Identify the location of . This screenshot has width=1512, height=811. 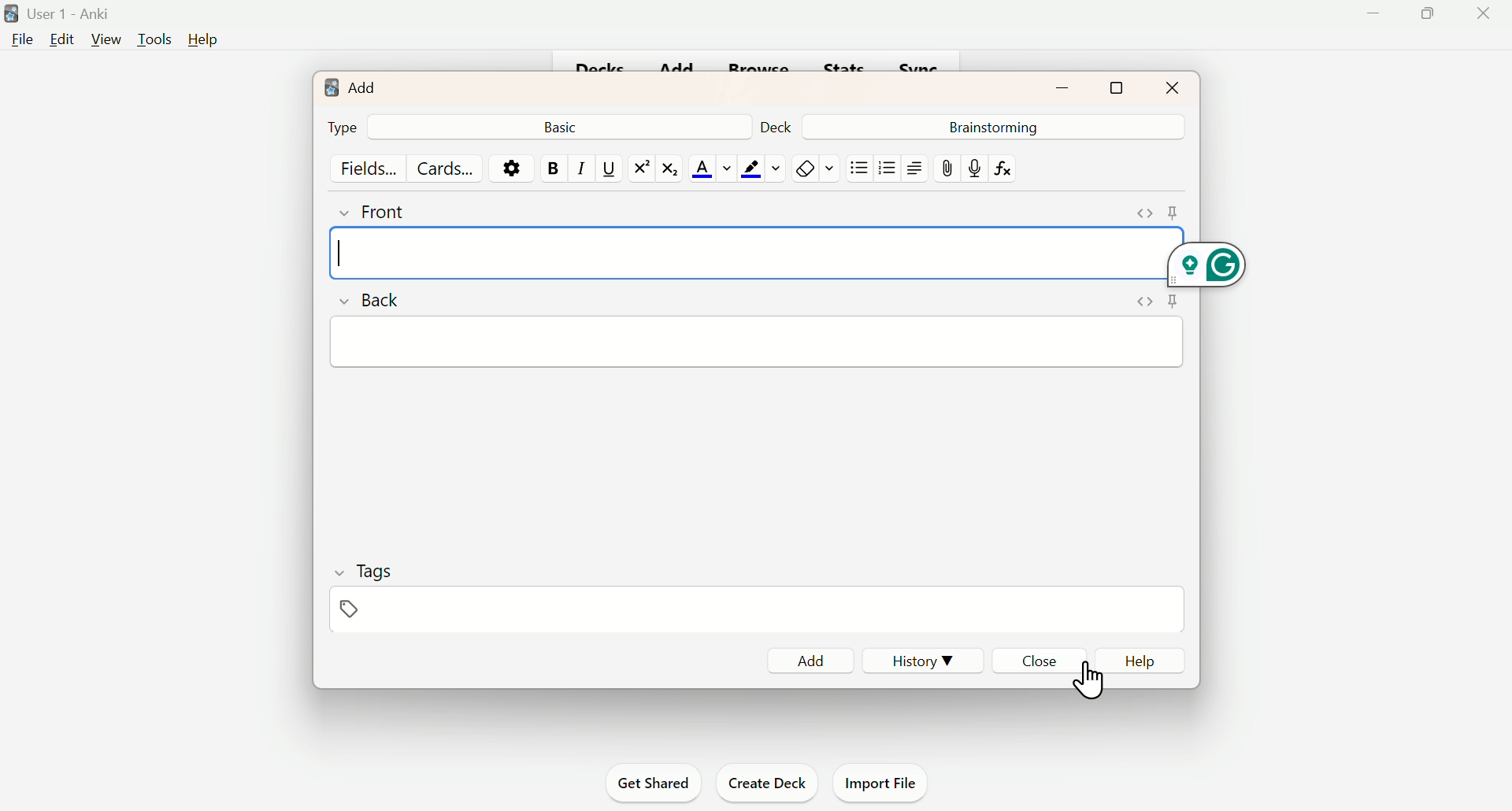
(563, 126).